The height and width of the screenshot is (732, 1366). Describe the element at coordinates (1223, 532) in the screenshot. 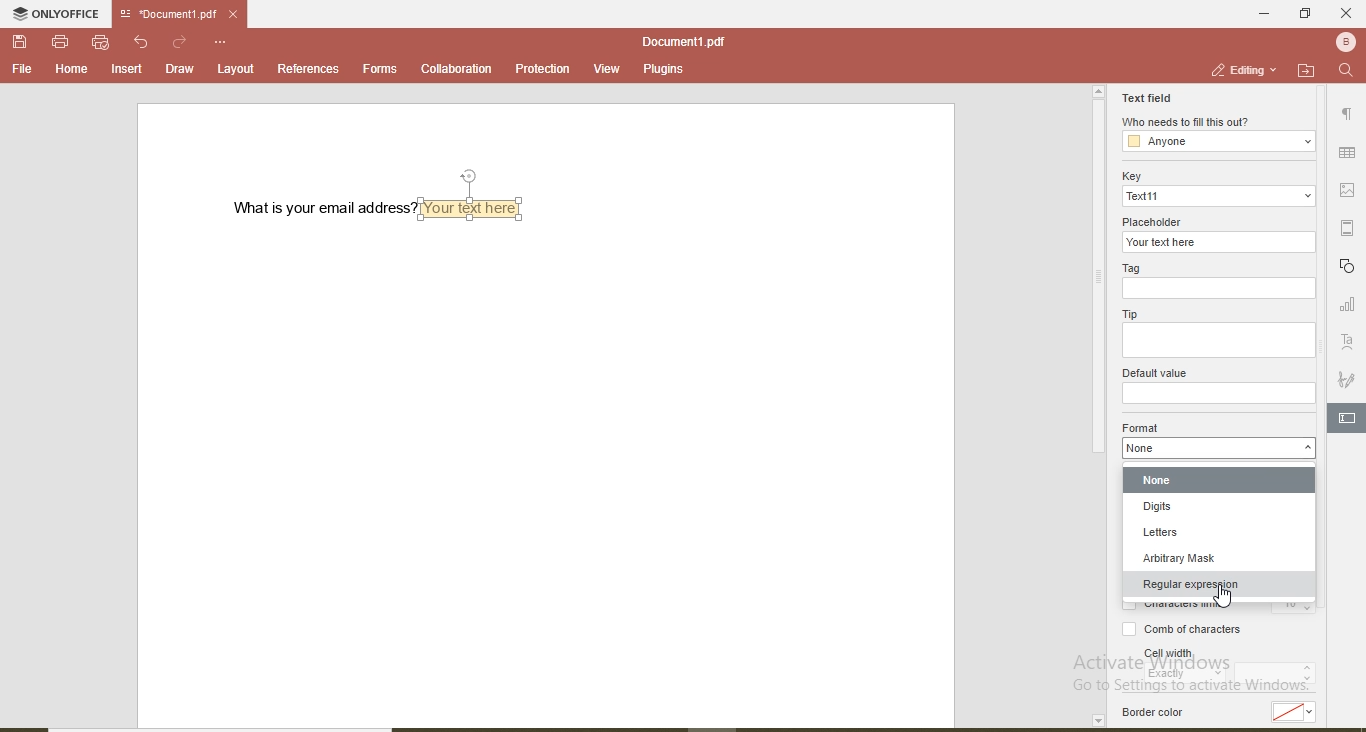

I see `letters` at that location.